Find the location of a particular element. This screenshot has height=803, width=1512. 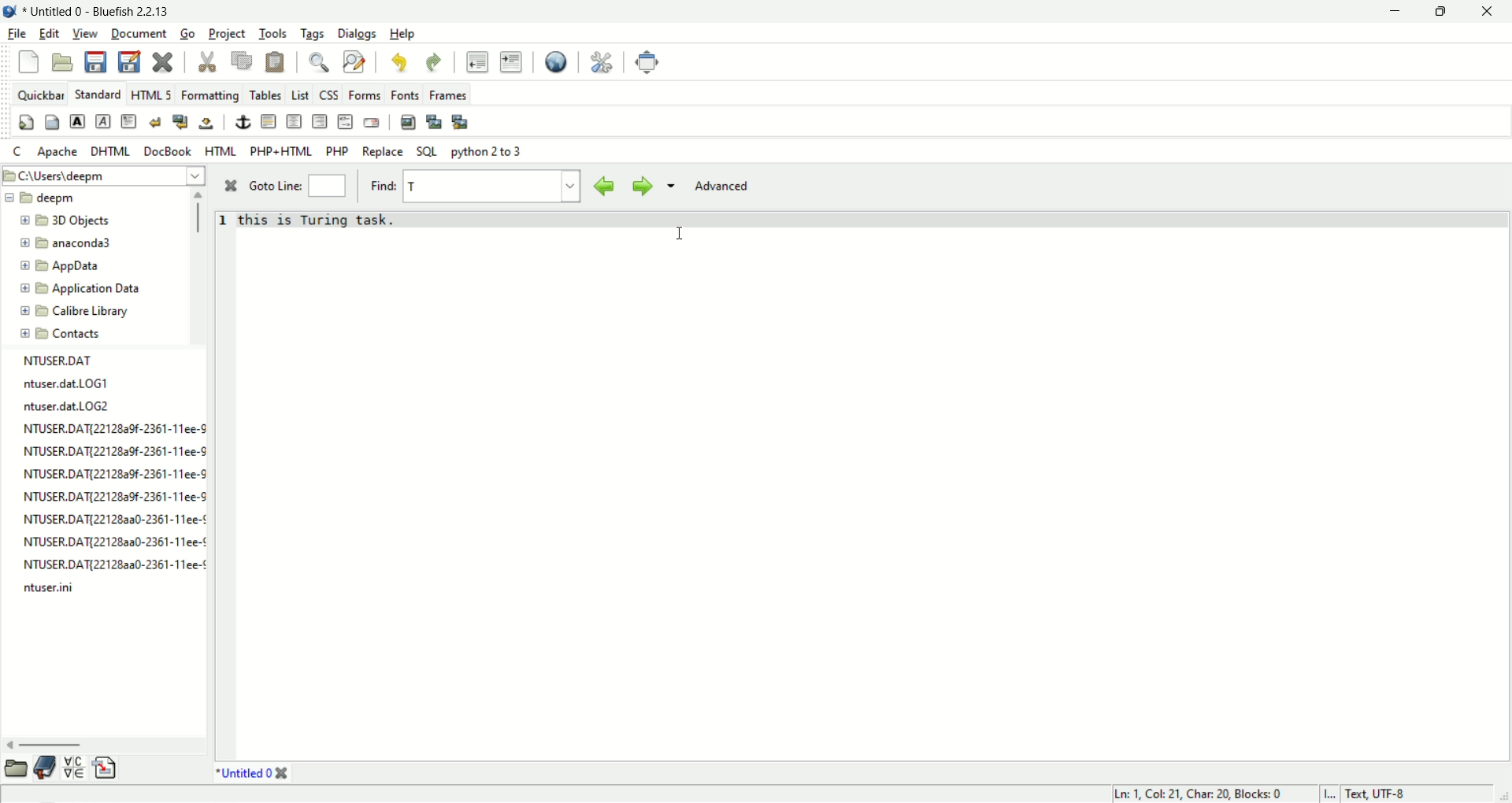

minimize is located at coordinates (1391, 13).